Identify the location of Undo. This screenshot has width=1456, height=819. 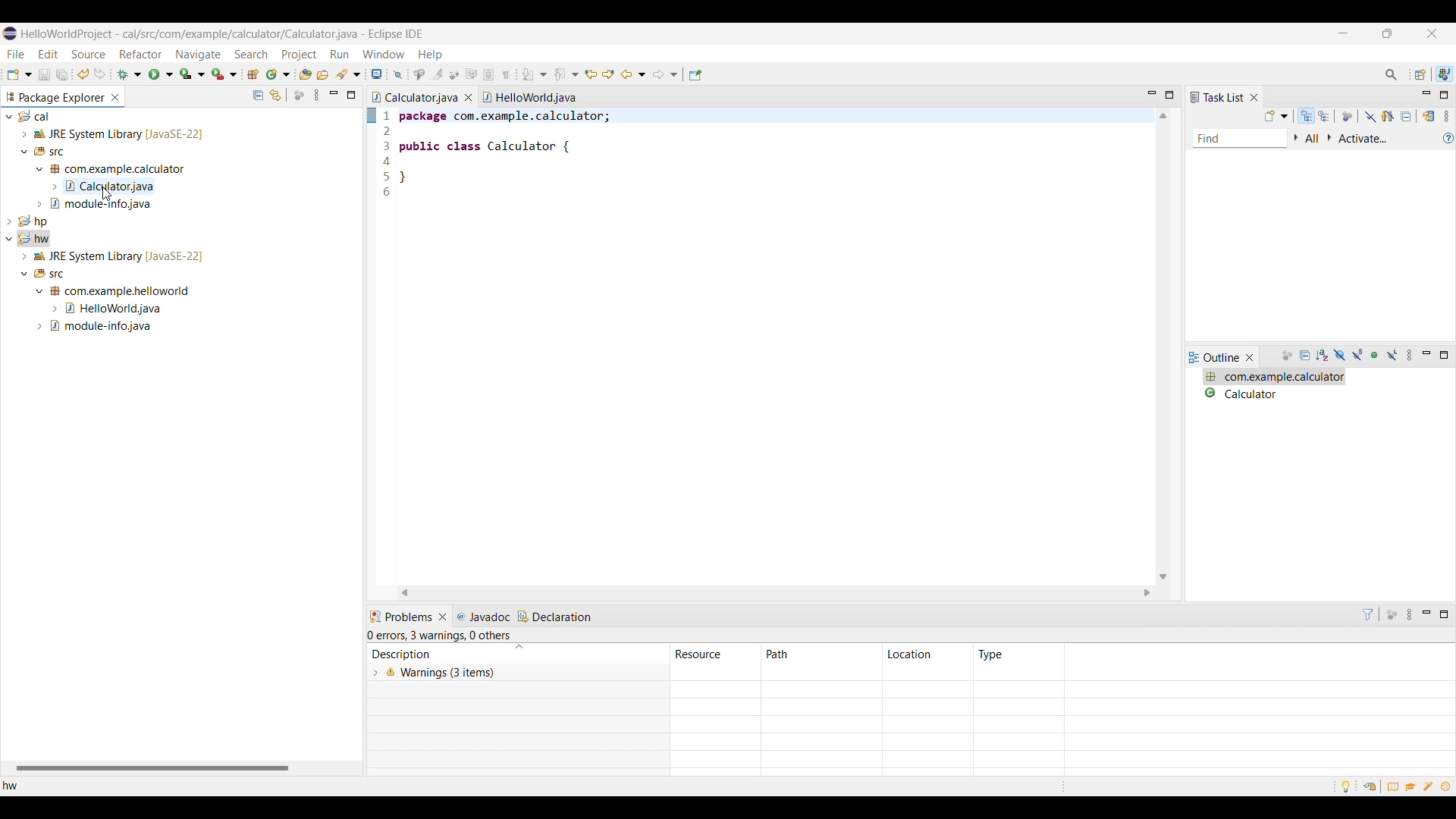
(99, 74).